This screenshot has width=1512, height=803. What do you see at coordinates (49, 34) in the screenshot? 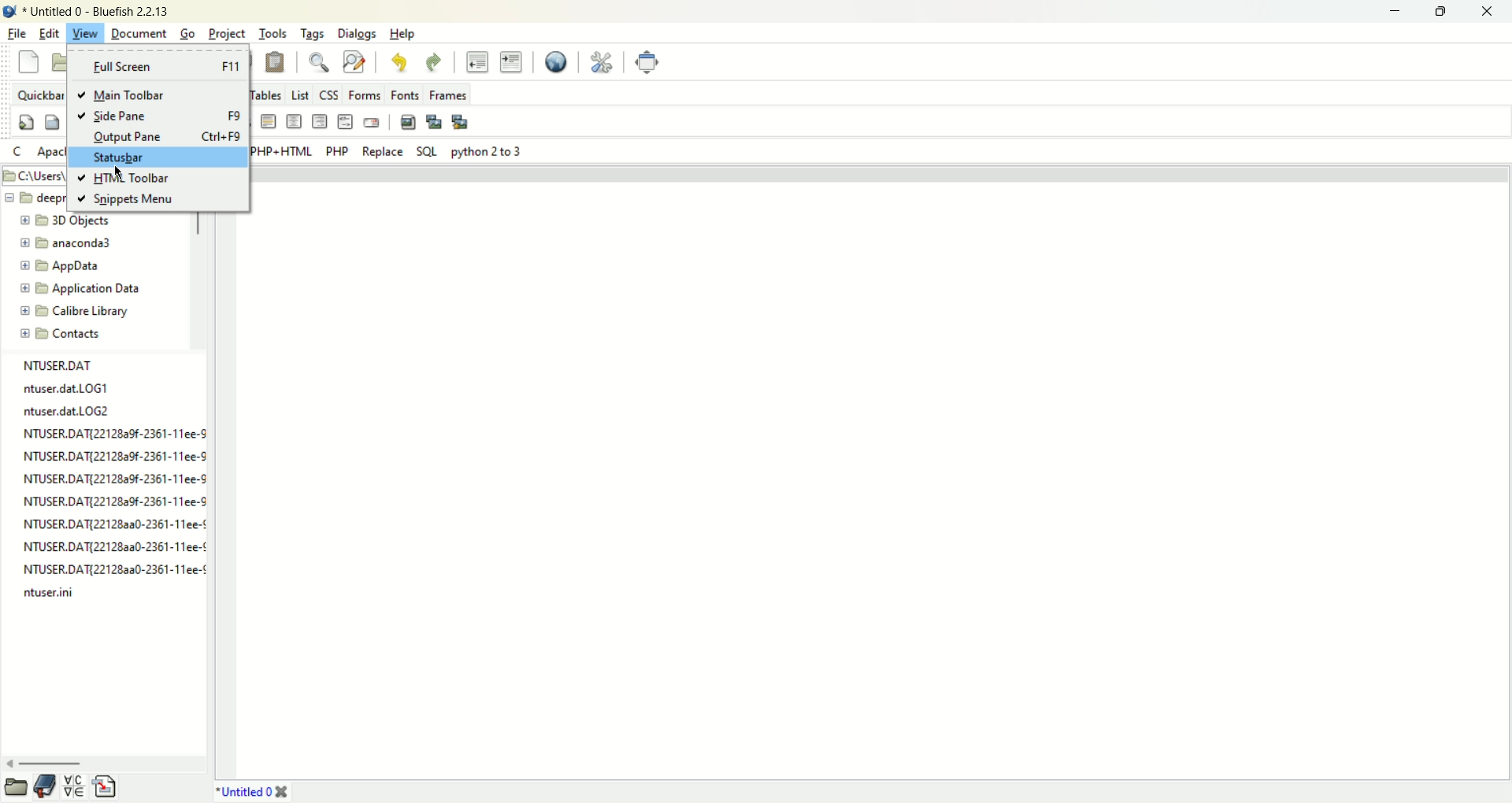
I see `edit` at bounding box center [49, 34].